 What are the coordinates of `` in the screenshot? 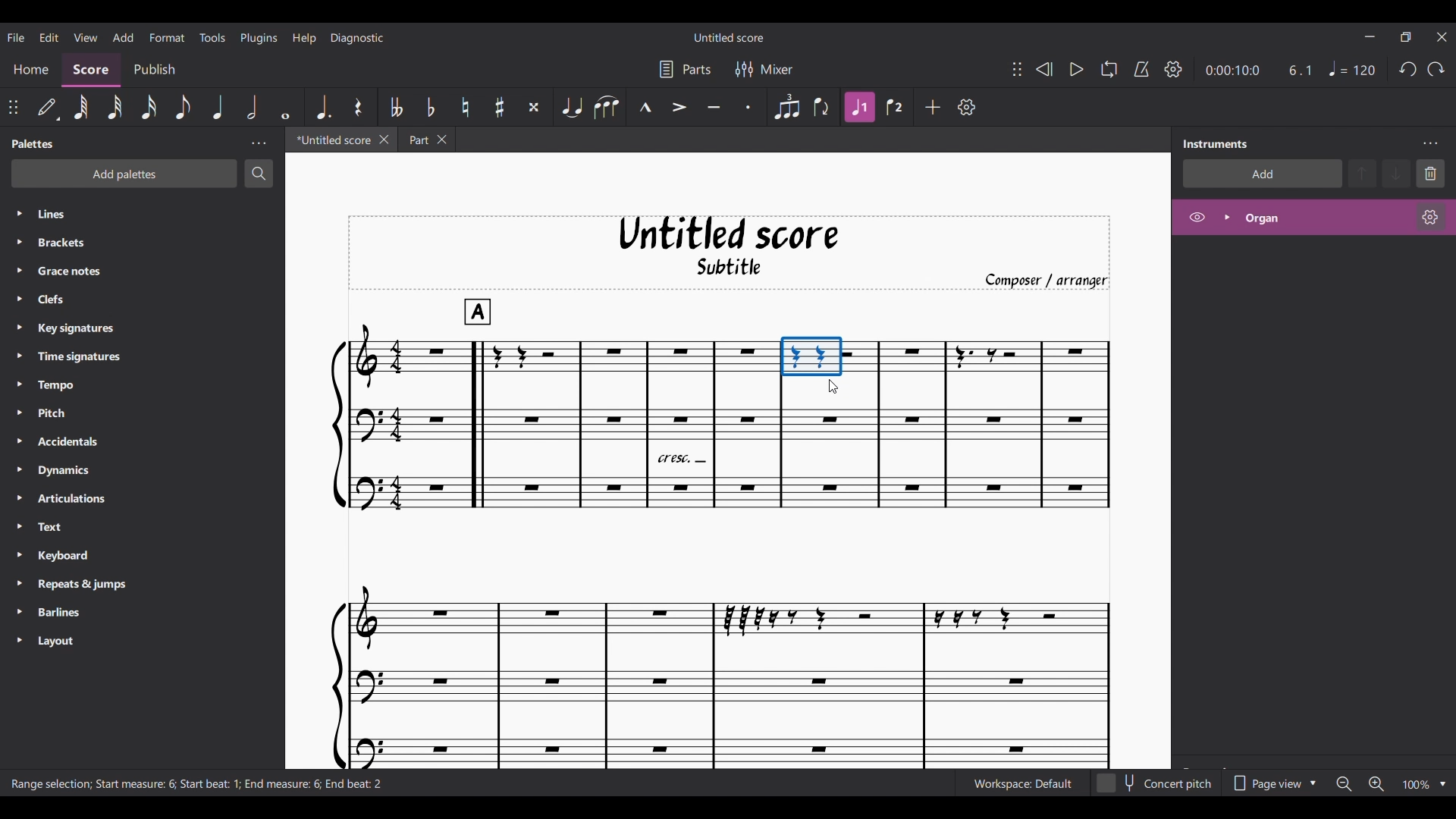 It's located at (791, 336).